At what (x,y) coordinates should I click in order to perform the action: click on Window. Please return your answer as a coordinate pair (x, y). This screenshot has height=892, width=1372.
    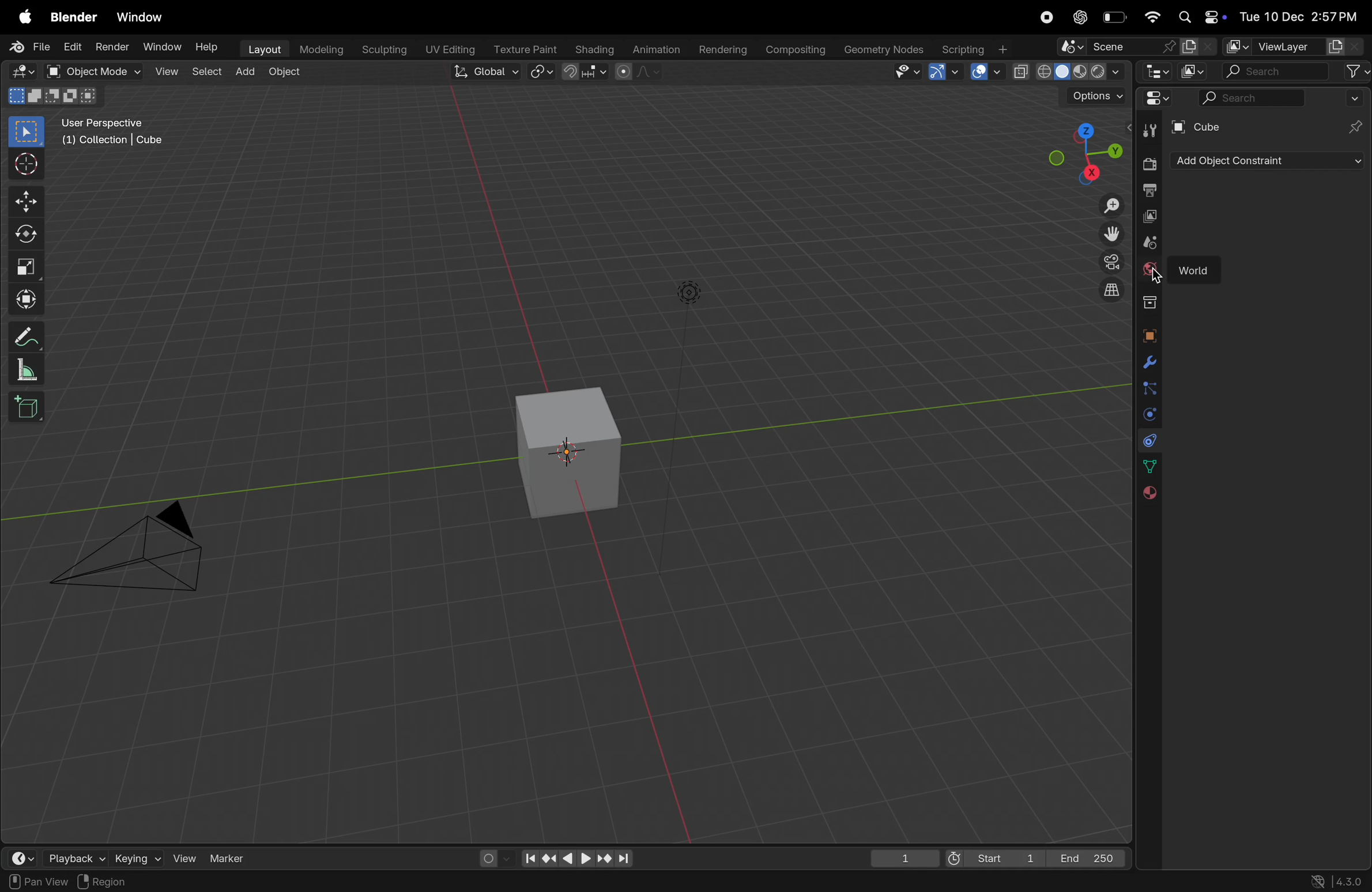
    Looking at the image, I should click on (144, 18).